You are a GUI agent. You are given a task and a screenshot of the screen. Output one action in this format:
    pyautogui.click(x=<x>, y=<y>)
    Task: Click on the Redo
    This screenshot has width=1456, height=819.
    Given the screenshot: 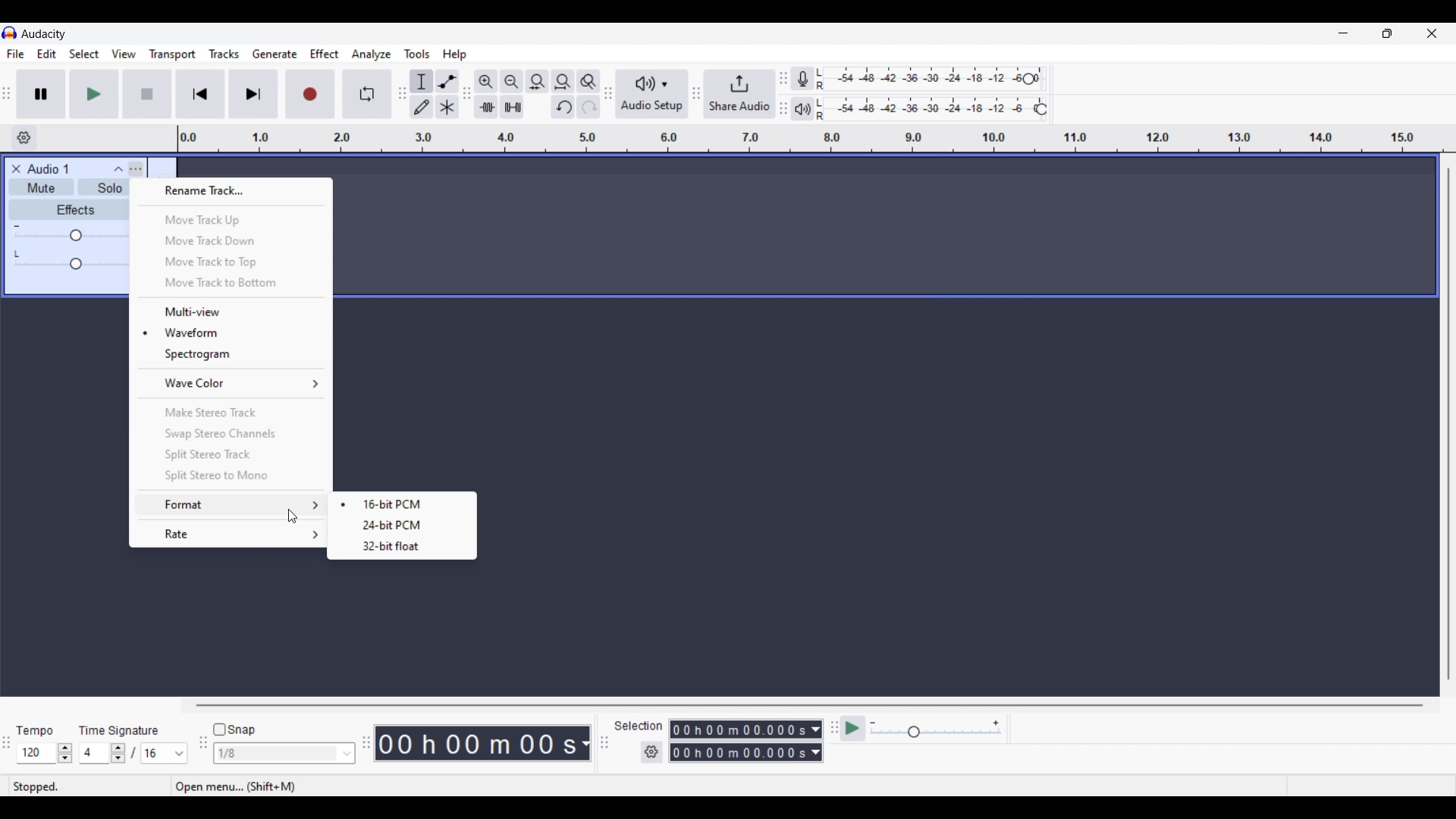 What is the action you would take?
    pyautogui.click(x=588, y=106)
    